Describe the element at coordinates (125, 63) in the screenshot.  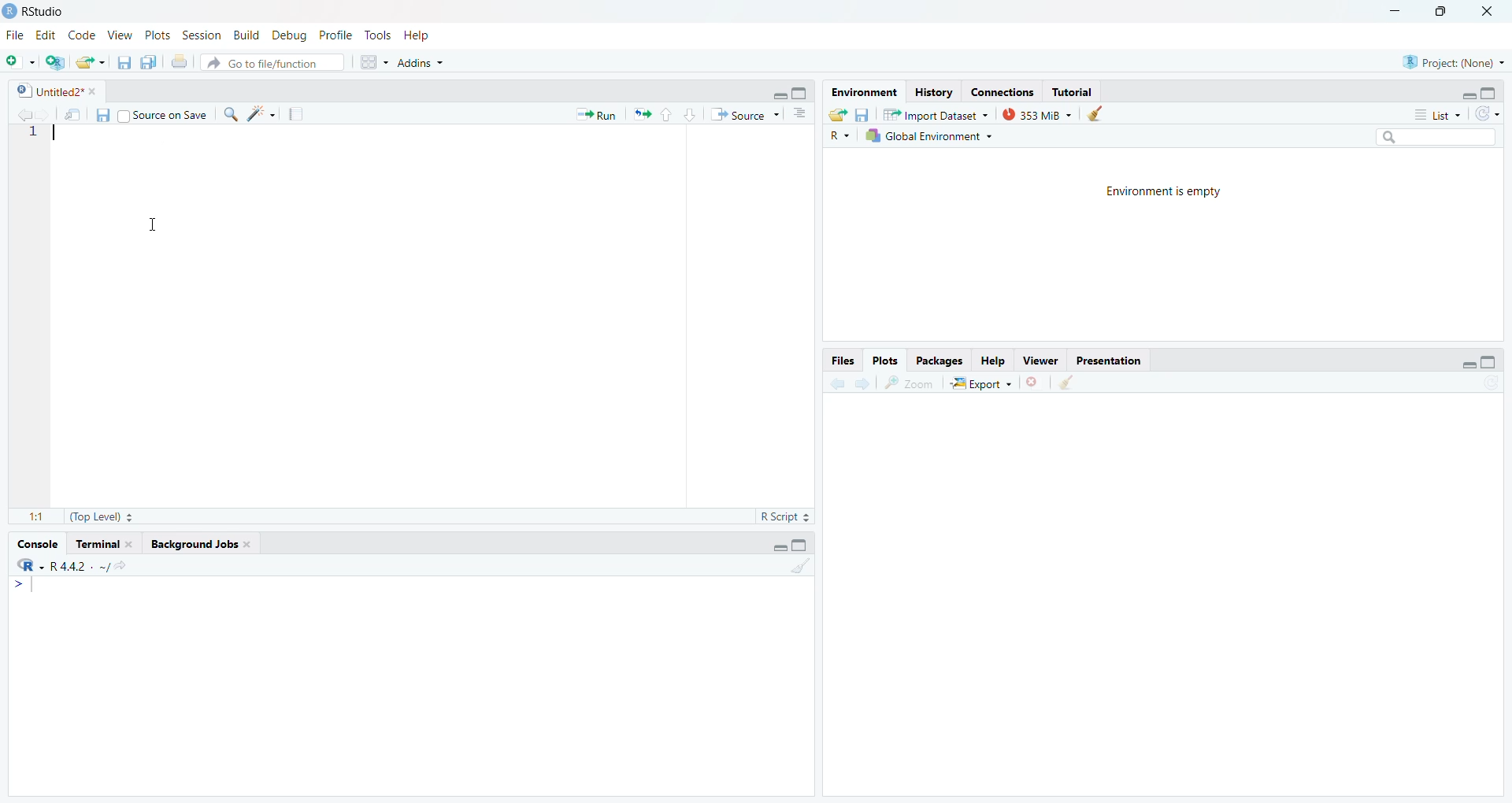
I see `save current file` at that location.